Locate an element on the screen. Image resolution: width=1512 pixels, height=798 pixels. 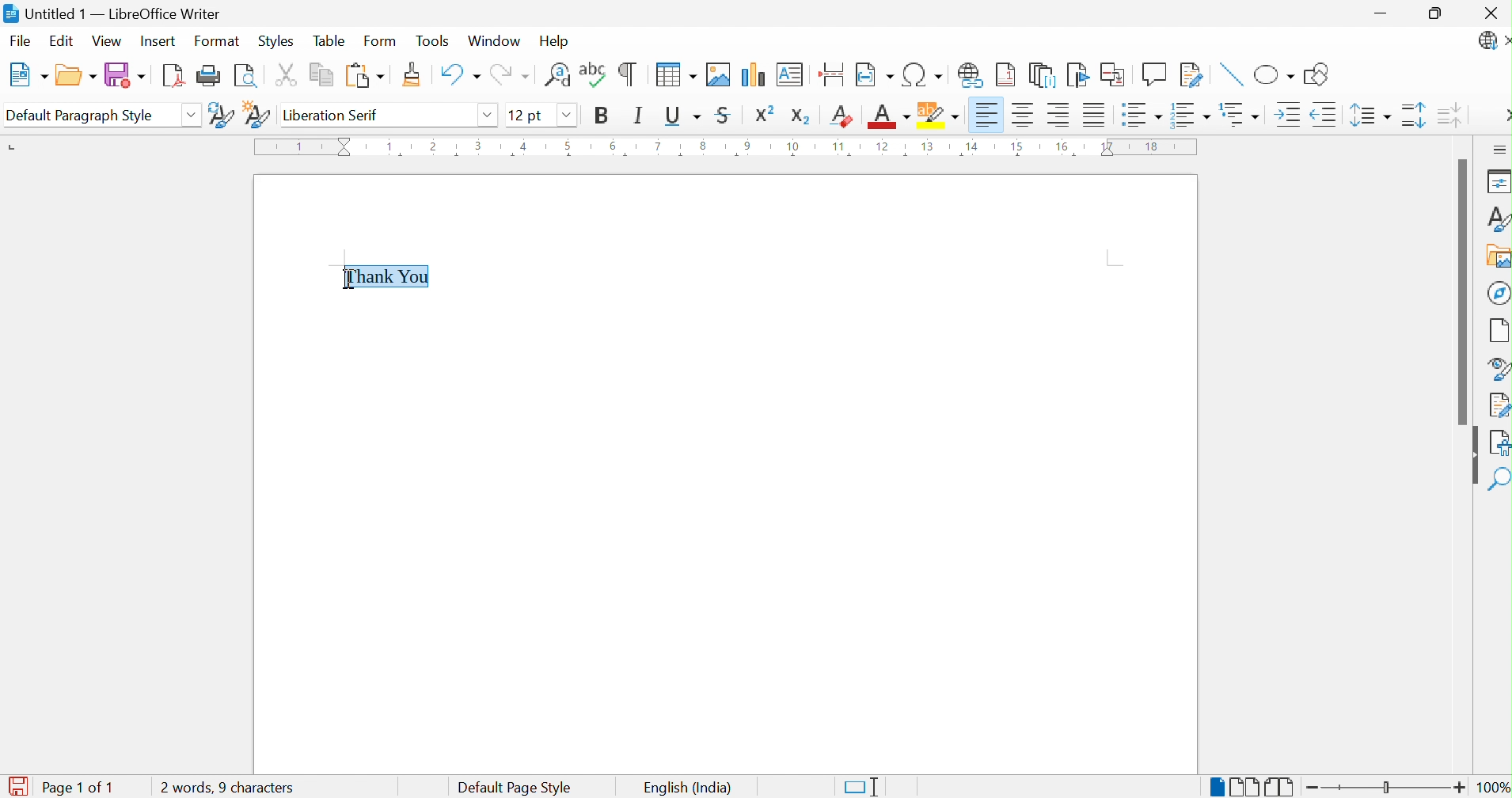
Properties is located at coordinates (1496, 182).